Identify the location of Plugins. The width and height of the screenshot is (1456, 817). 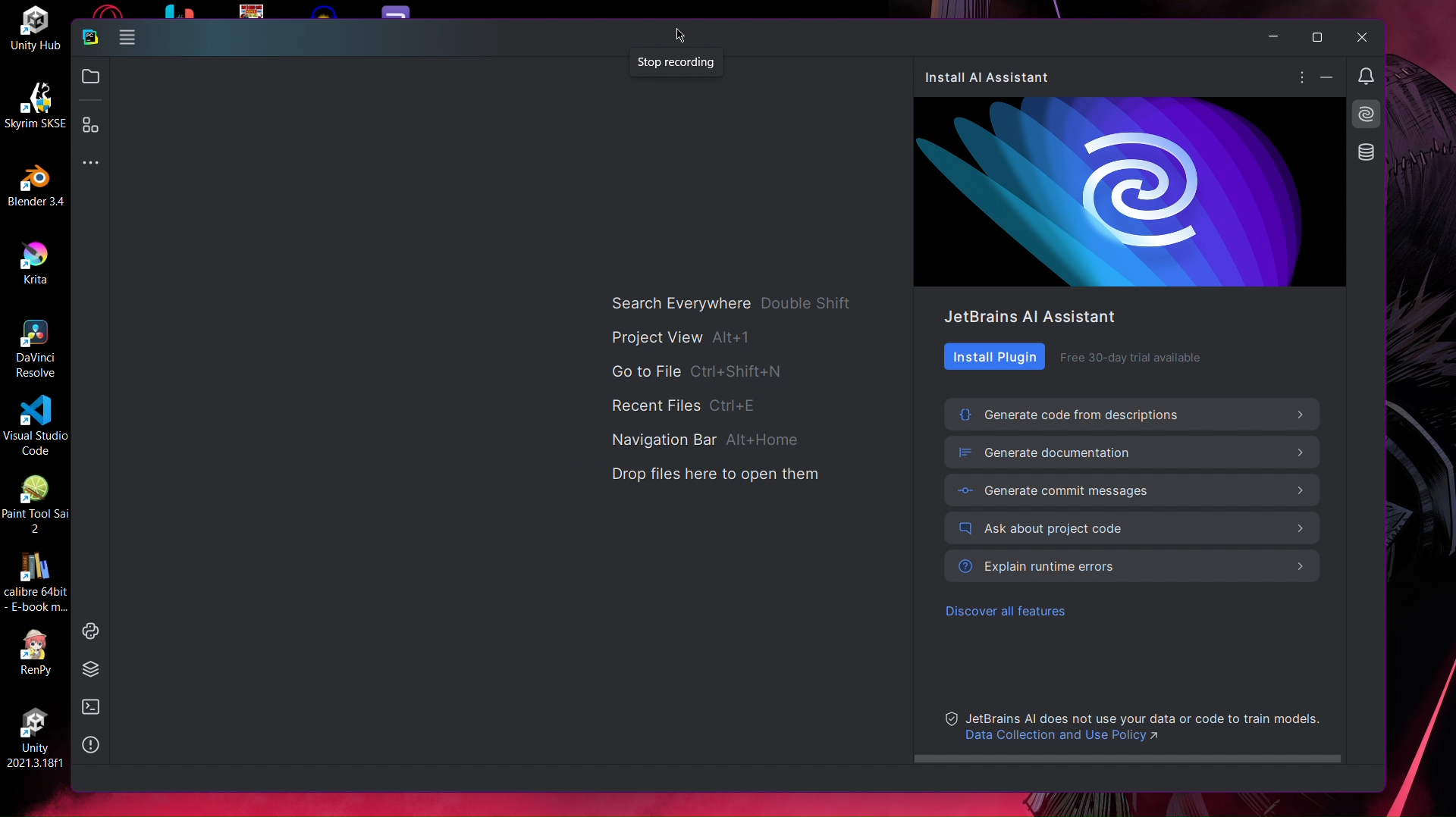
(92, 127).